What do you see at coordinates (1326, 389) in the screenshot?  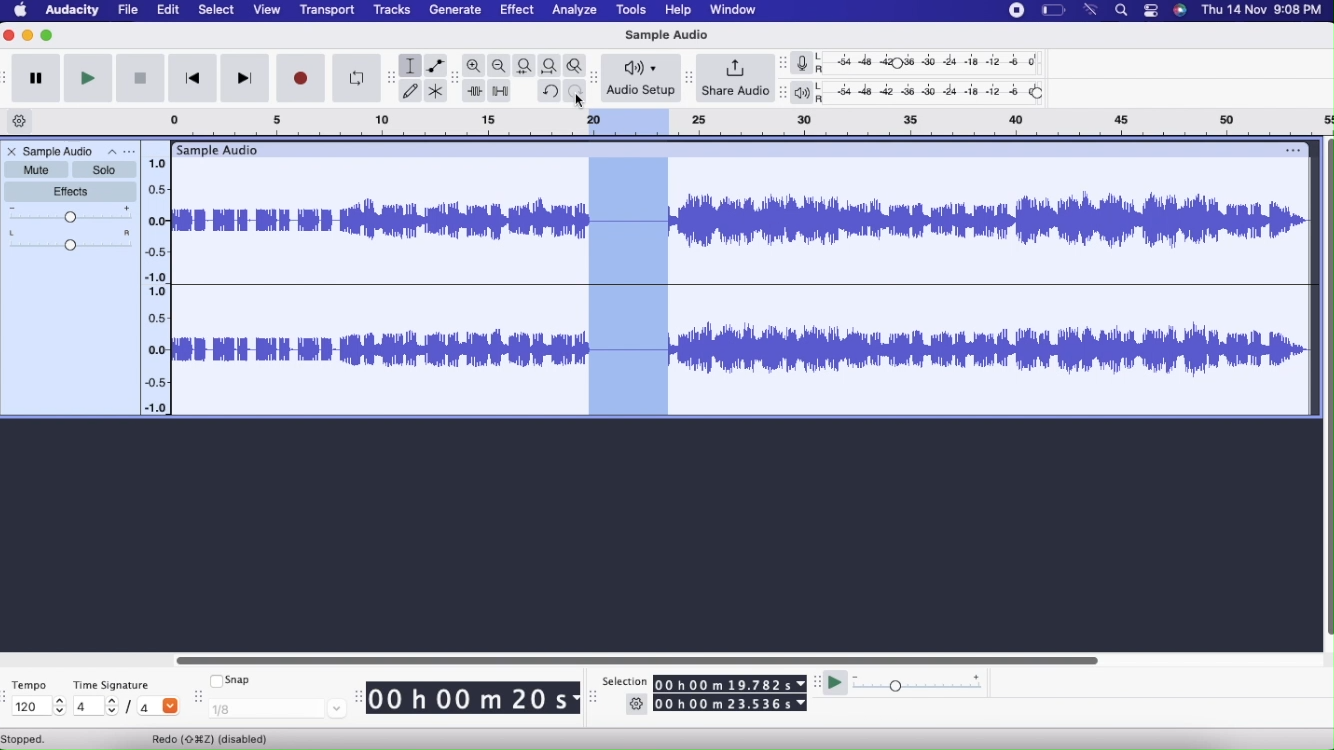 I see `vertical scrollbar` at bounding box center [1326, 389].